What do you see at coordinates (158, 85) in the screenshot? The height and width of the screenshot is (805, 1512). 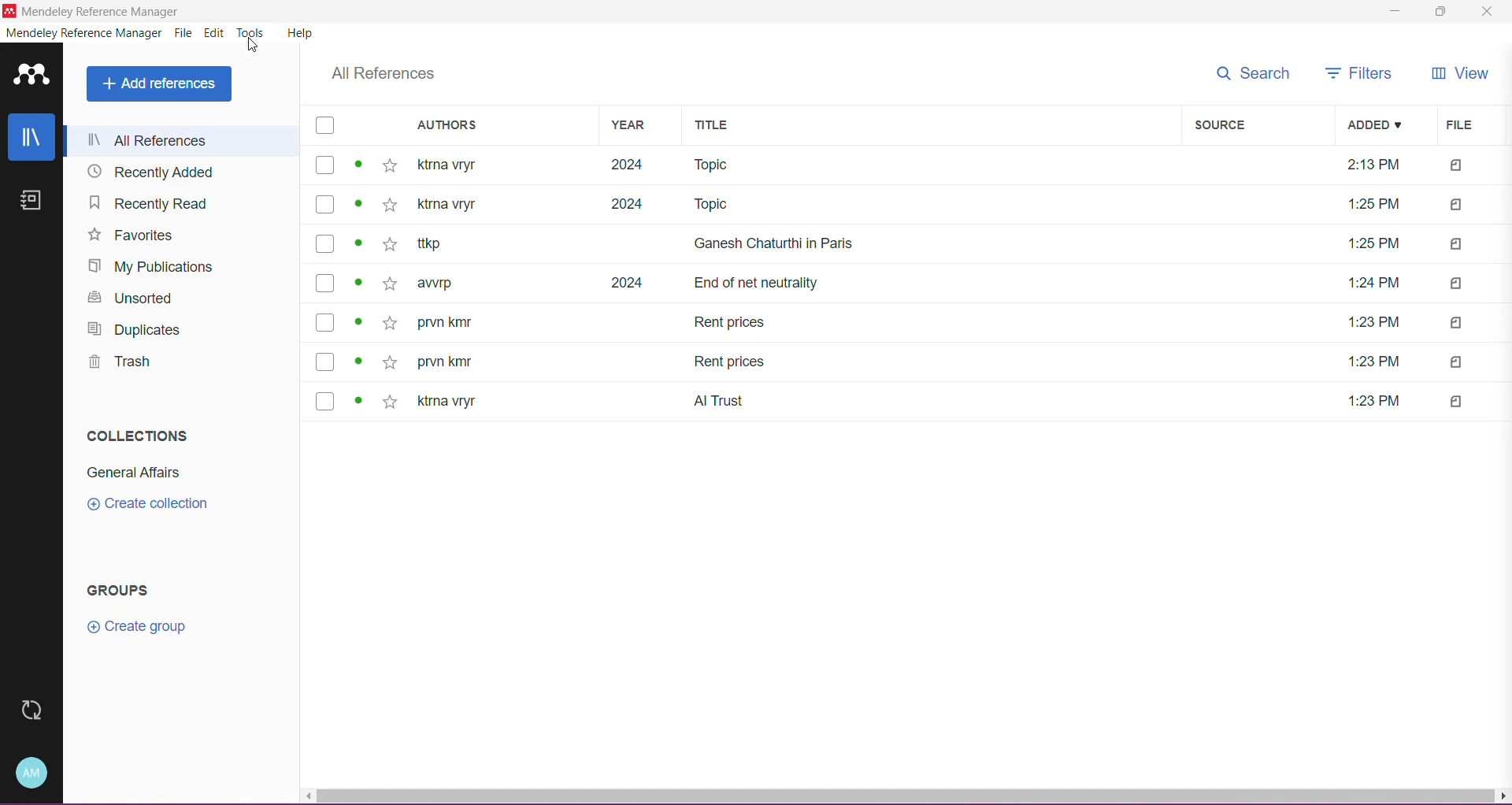 I see `Add References` at bounding box center [158, 85].